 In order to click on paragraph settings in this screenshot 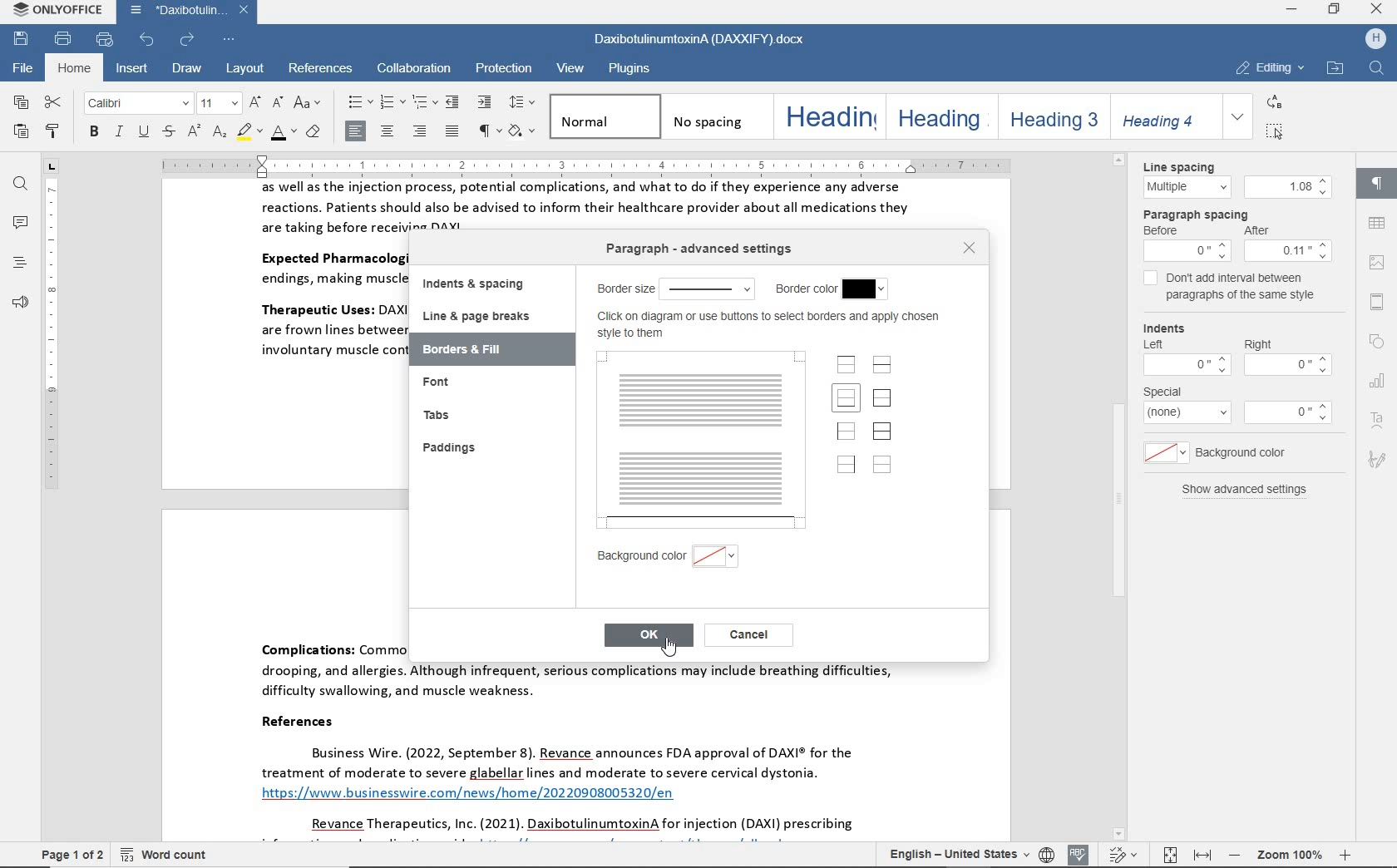, I will do `click(1375, 180)`.